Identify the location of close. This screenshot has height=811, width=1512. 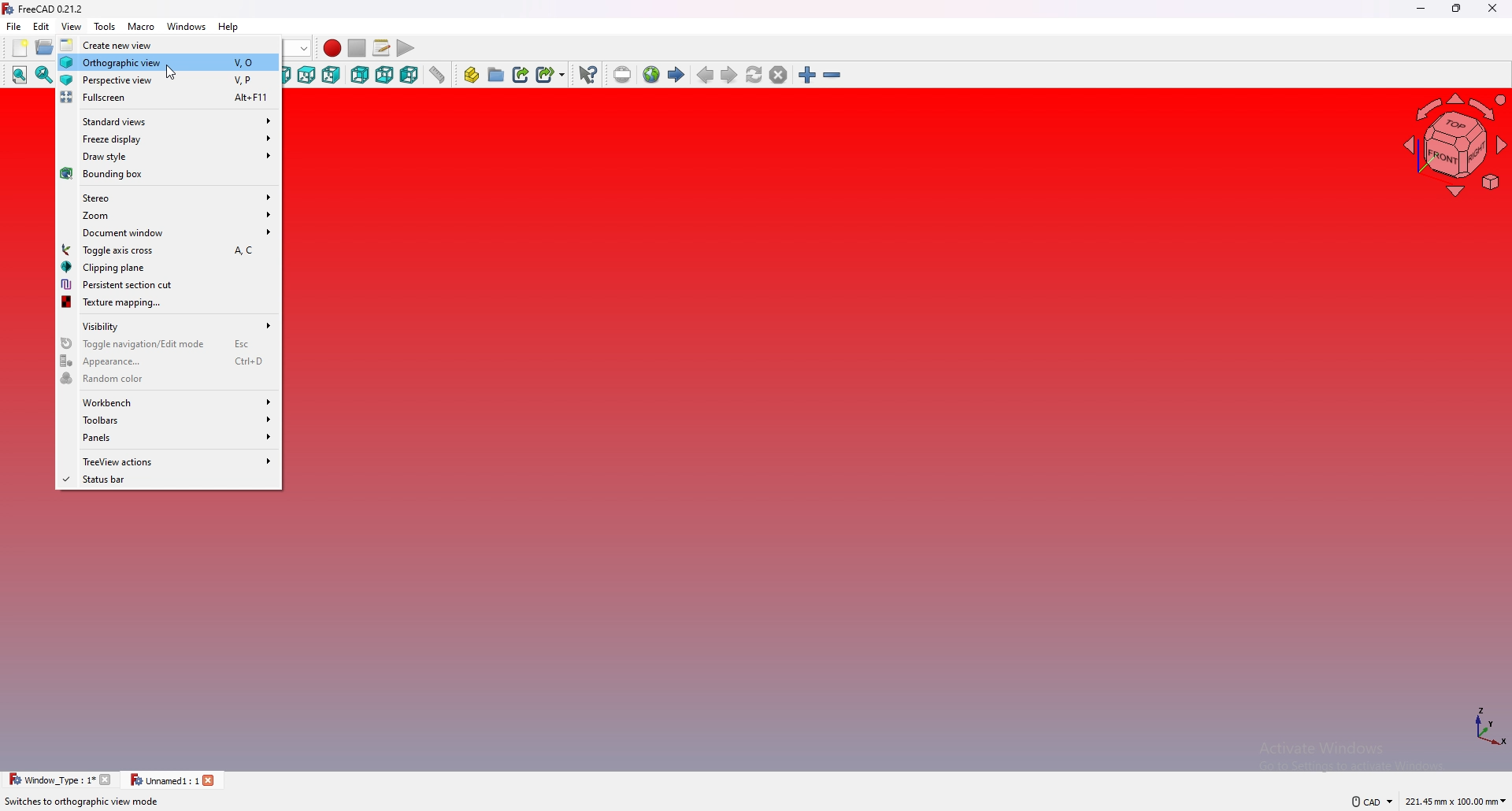
(1493, 9).